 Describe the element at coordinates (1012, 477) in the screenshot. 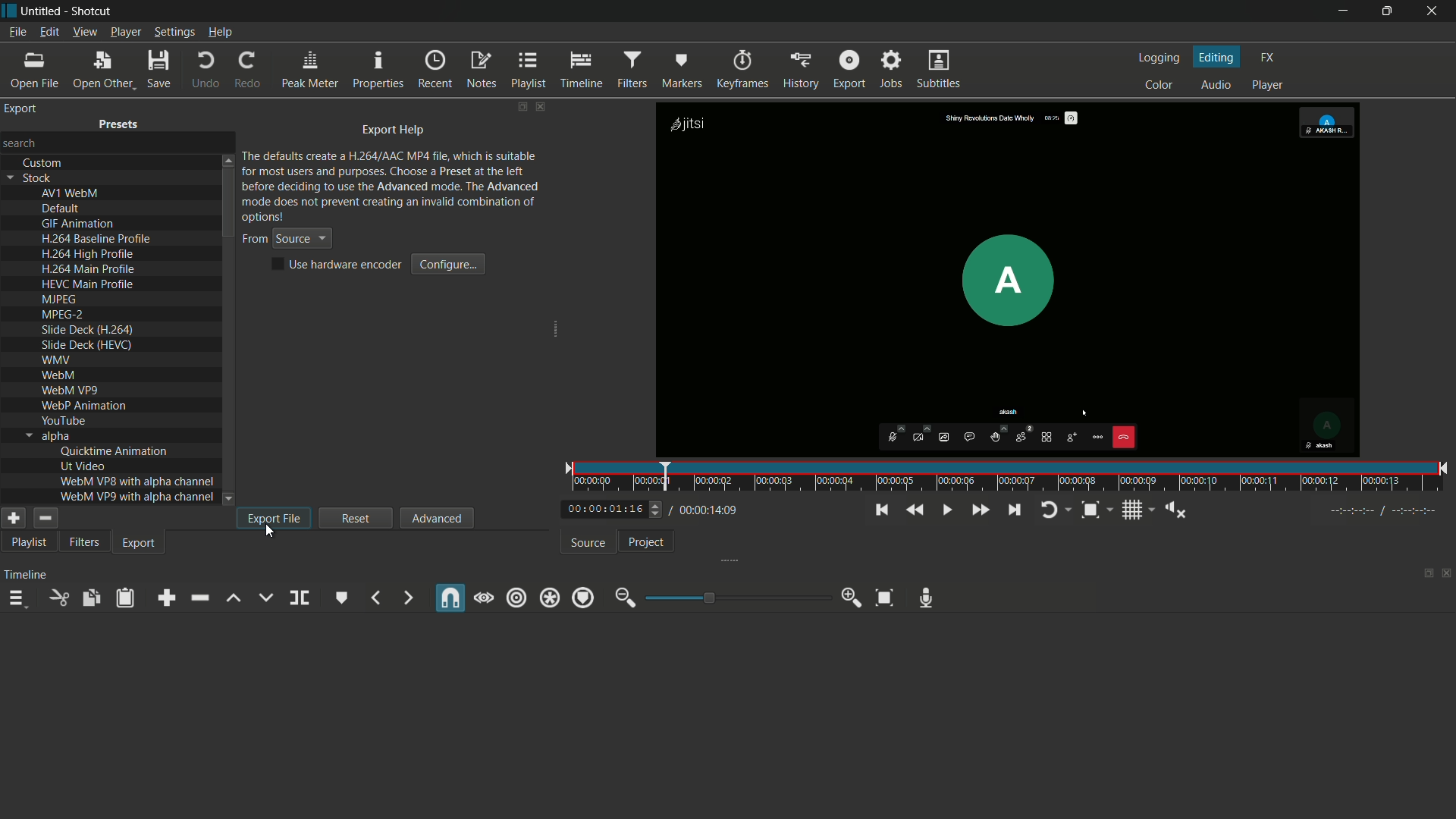

I see `time` at that location.